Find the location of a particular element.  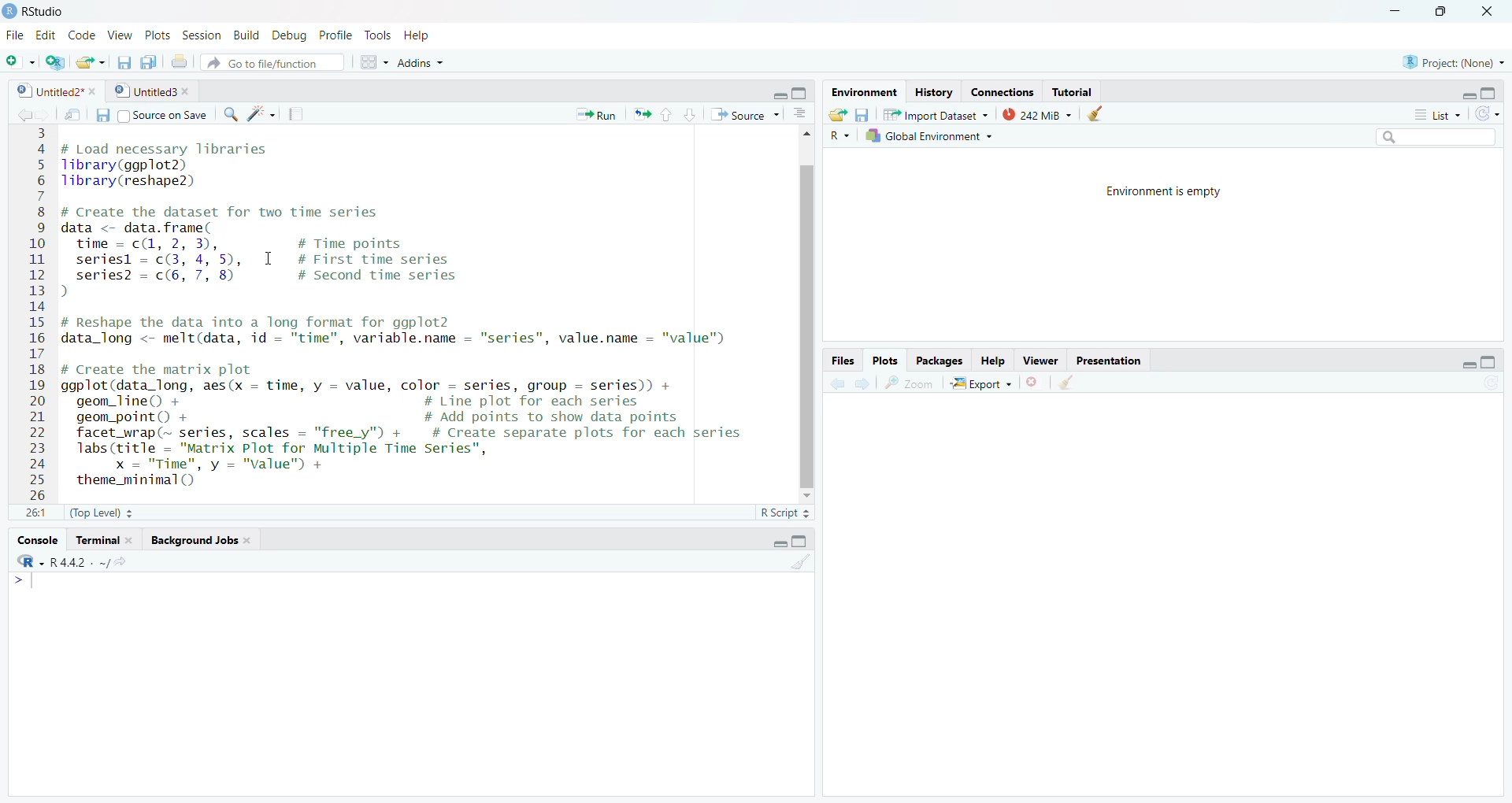

# Load necessary libraries library(ggplot2) library(reshape2)# Create the dataset for two time seriesdata <- data.frame(Tlie = Gl, 2; I # Time pointsseriesl = c(3, 4, 5), # First time seriesseries? = c(6, 7, 8) # Second time series)# Reshape the data into a long format for ggplot2data_long <- melt(data, id = "time", variable.name = "series", value.name = "value")# Create the matrix plotggplot(data_long, aes(x - time, y — value, color — series, group — series)) +geom_line() + # Line plot for each seriesgeom_point() + # Add points to show data pointsfacet_wrap(~ series, scales = "free_y") + # Create separate plots for each serieslabs (title = "Matrix Plot for Multiple Time Series",x = "Time", y = "value" +theme minimal () is located at coordinates (421, 312).